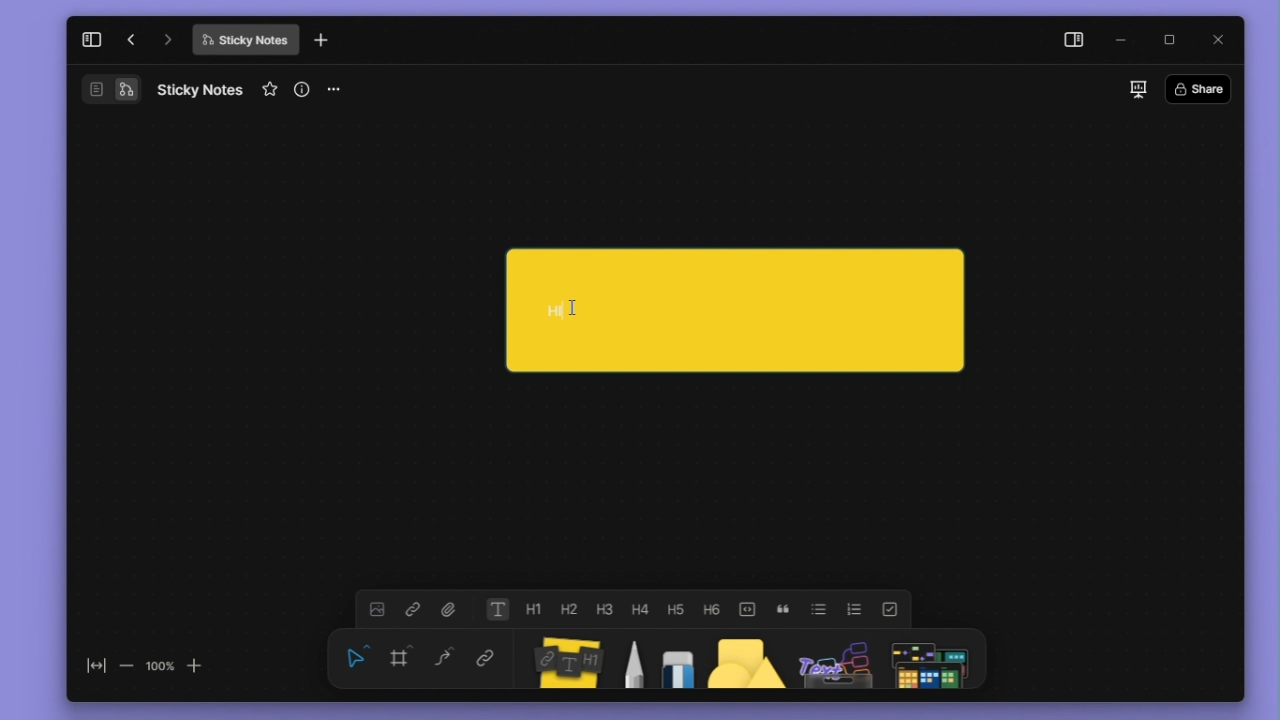 This screenshot has height=720, width=1280. I want to click on Assets Panel Icon, so click(833, 663).